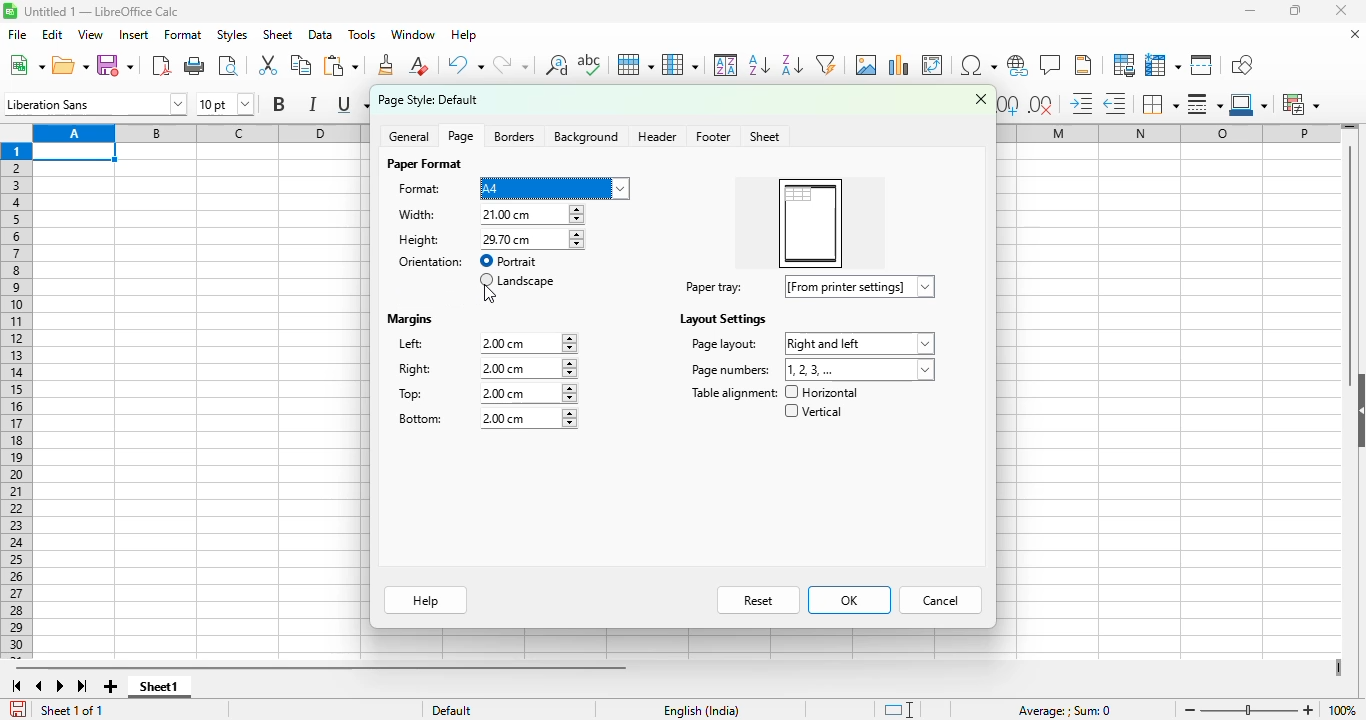  I want to click on horizontal scroll bar, so click(320, 669).